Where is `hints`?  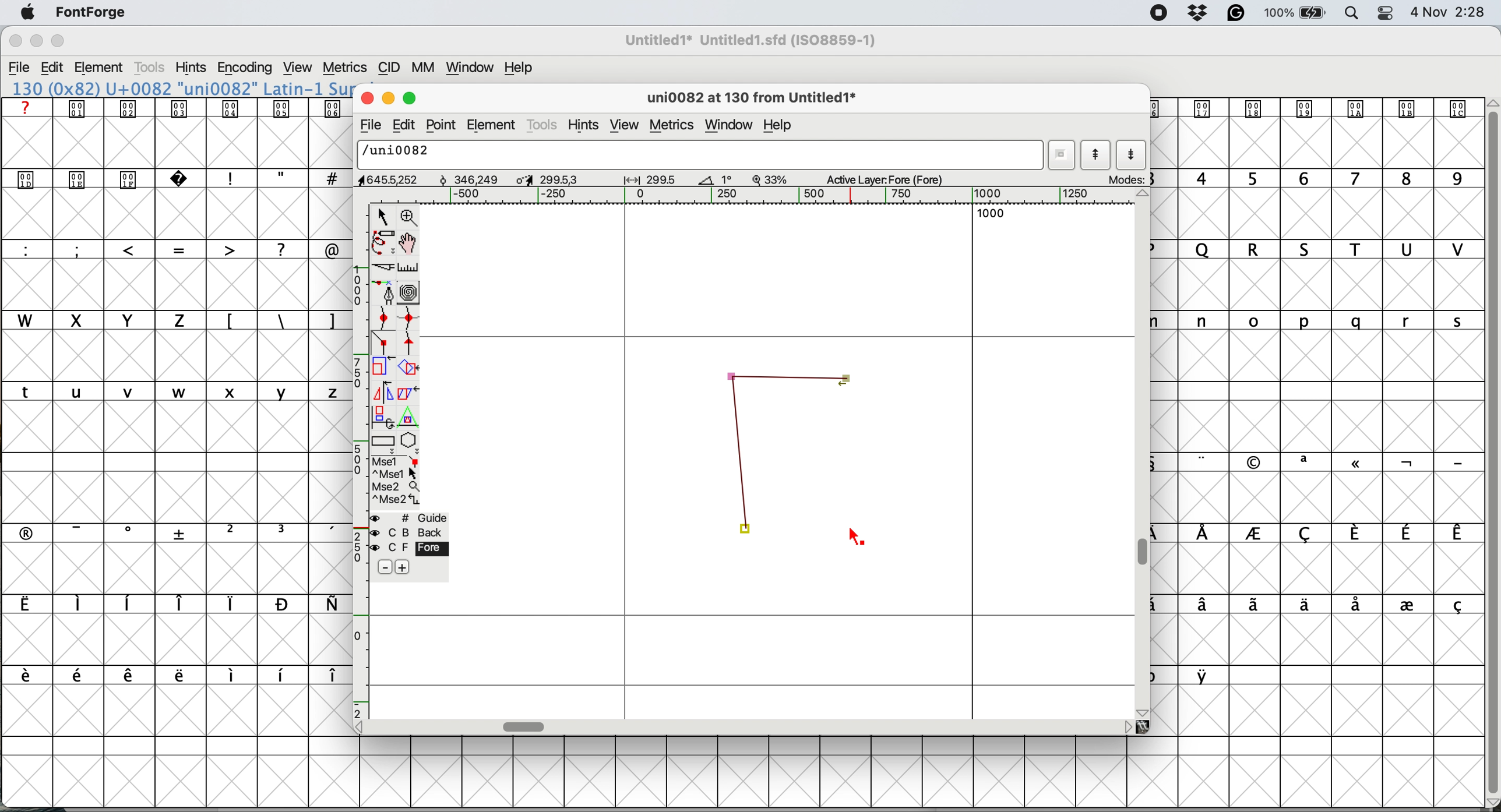
hints is located at coordinates (584, 126).